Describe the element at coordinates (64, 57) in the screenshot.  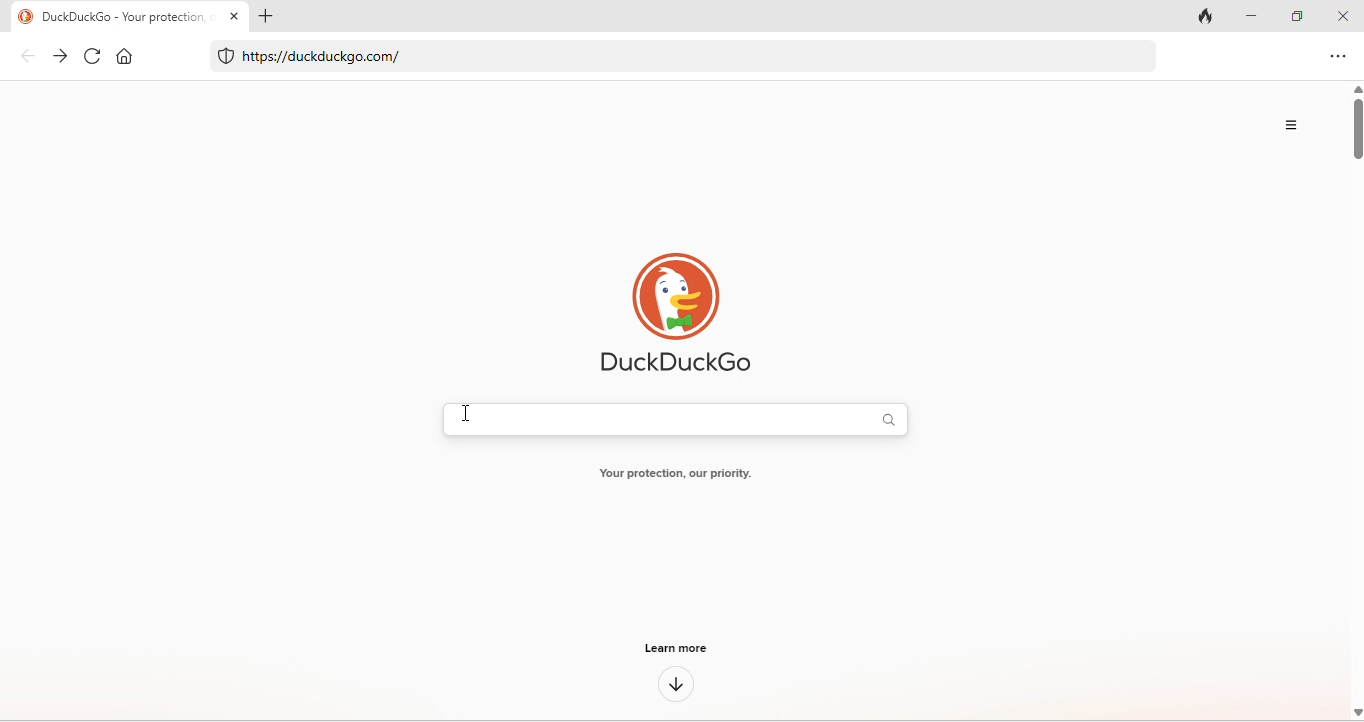
I see `forward` at that location.